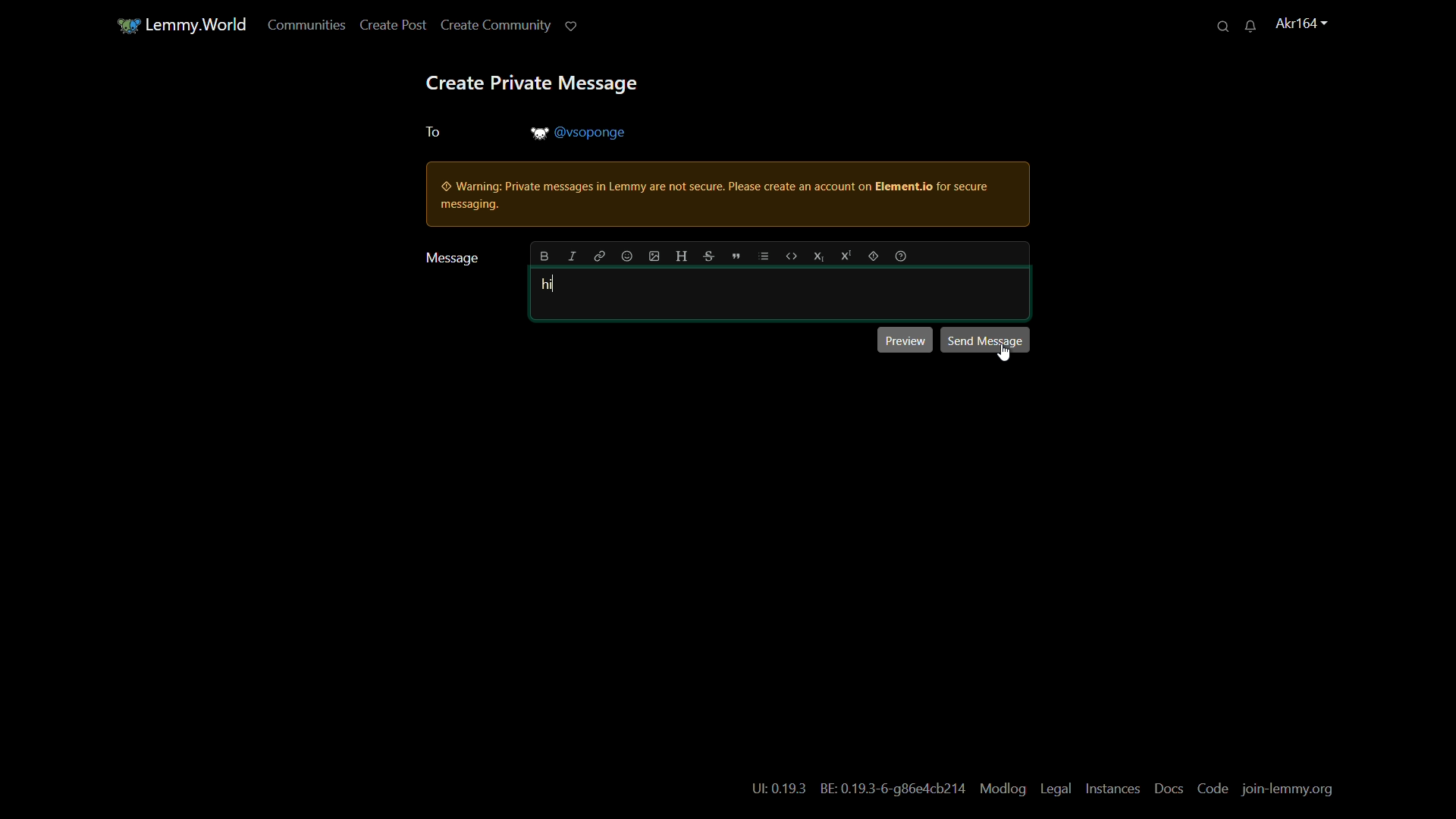 This screenshot has width=1456, height=819. I want to click on username, so click(1294, 24).